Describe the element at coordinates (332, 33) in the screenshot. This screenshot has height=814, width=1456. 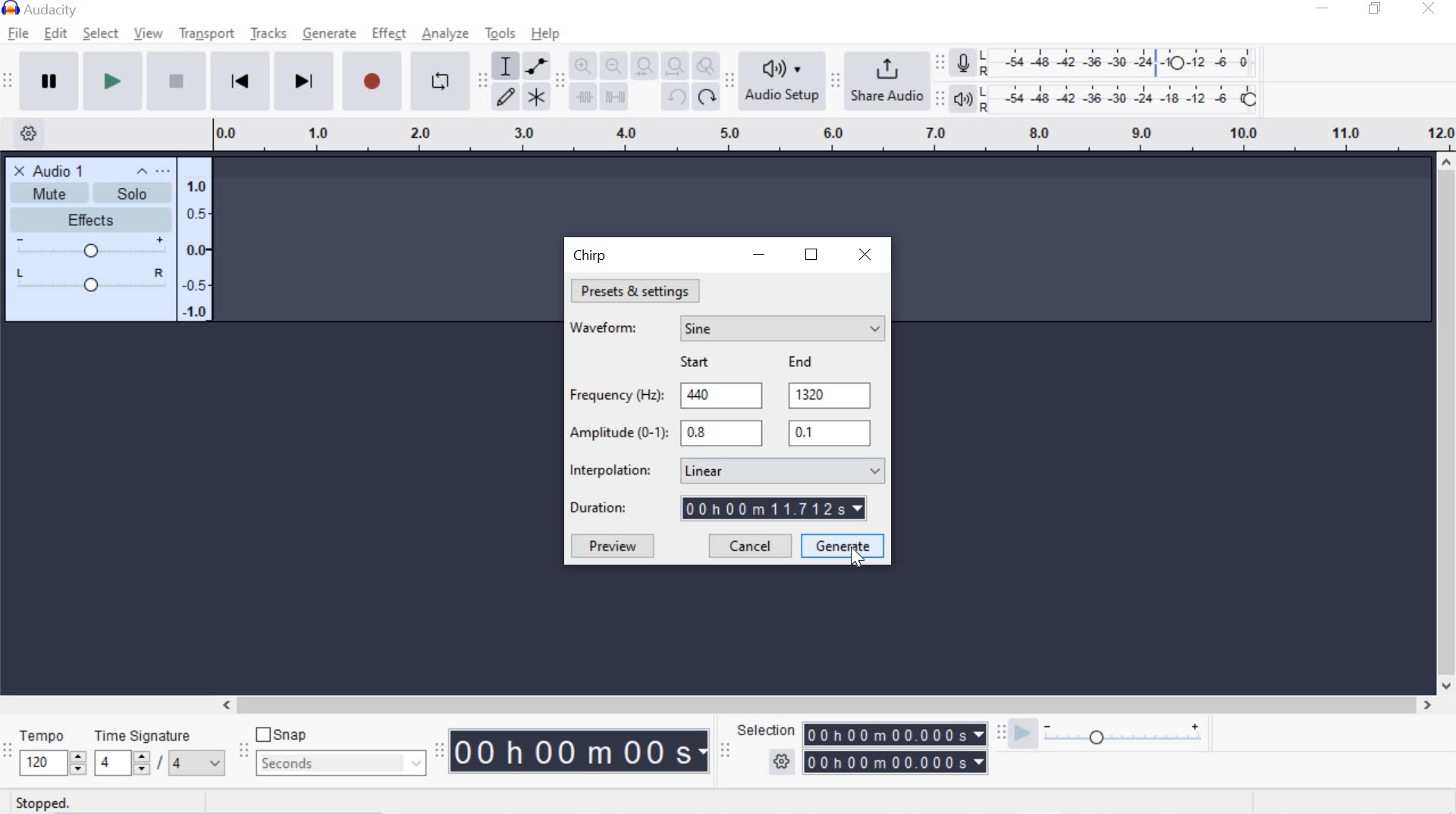
I see `generate` at that location.